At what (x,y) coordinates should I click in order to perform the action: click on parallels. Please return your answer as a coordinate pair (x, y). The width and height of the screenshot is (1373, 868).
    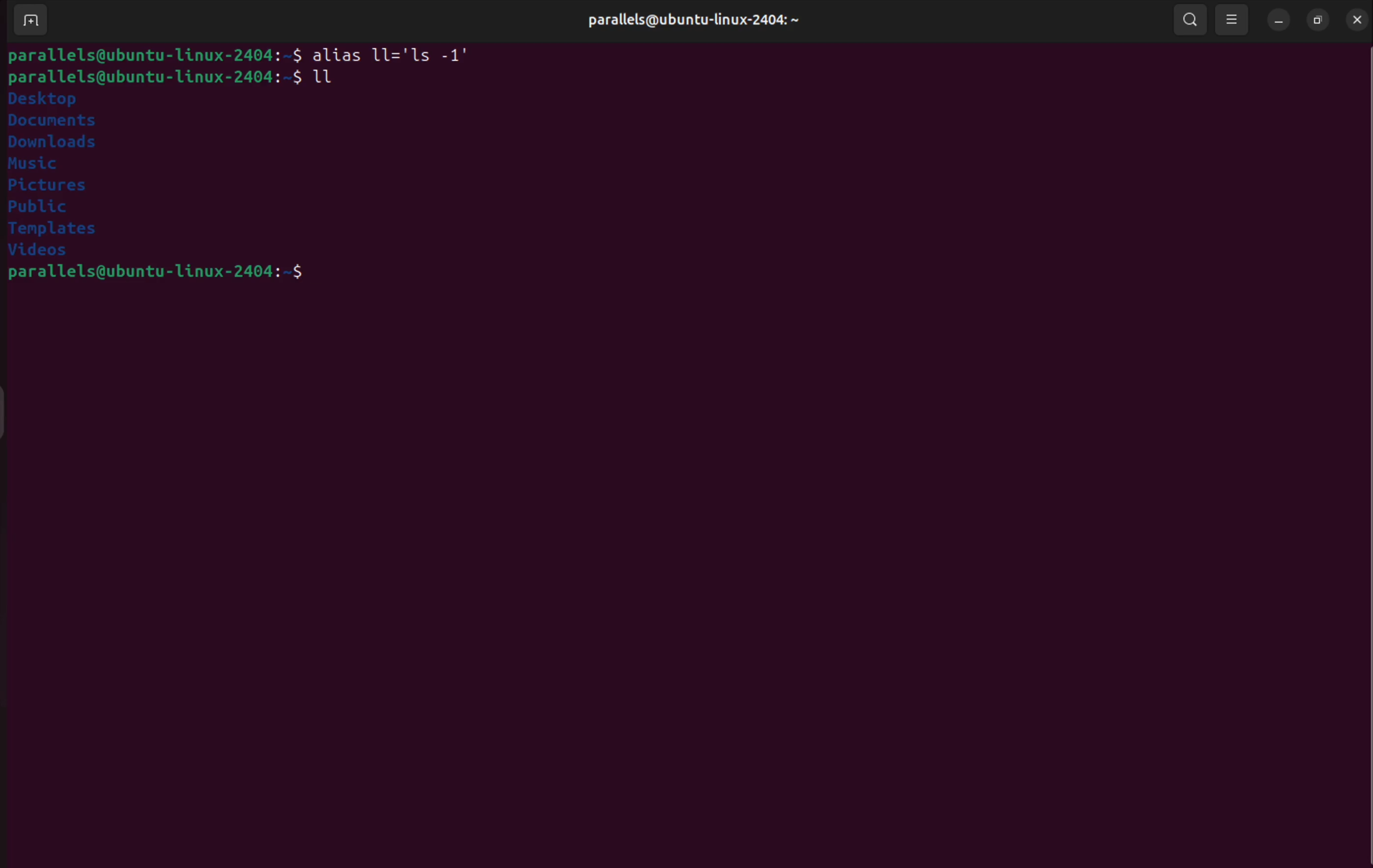
    Looking at the image, I should click on (683, 17).